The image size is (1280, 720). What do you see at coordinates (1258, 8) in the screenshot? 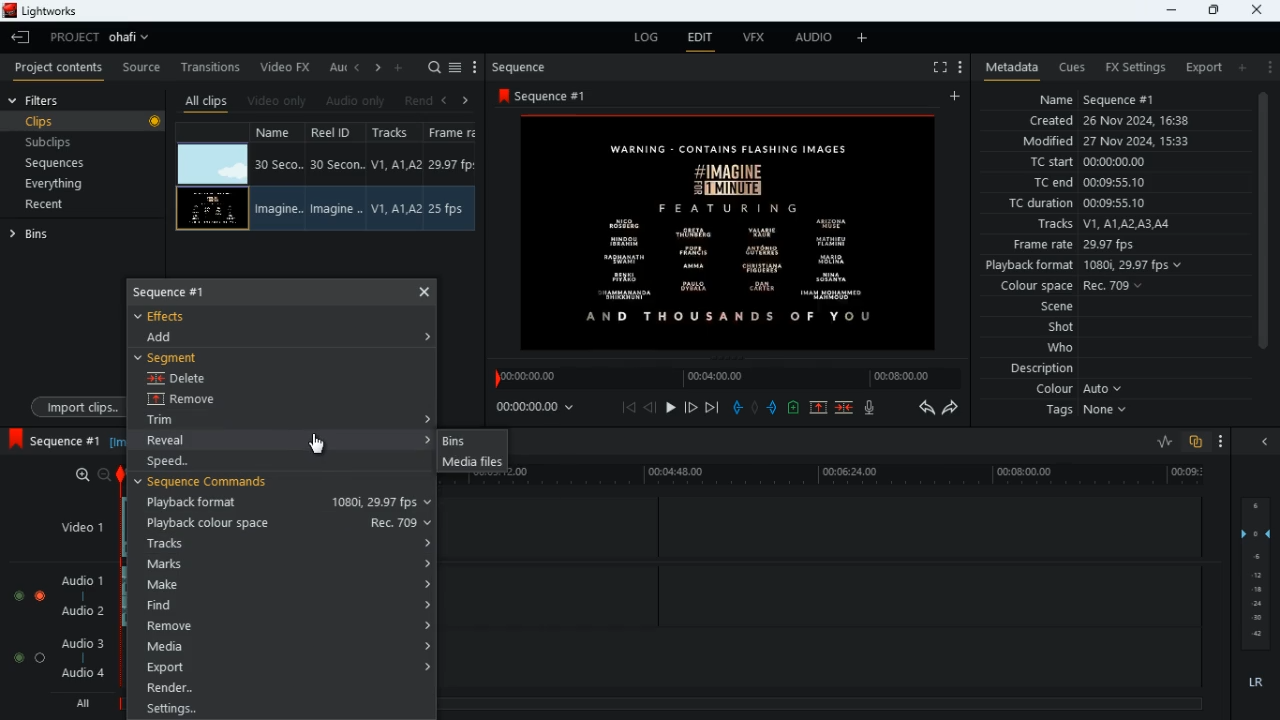
I see `close` at bounding box center [1258, 8].